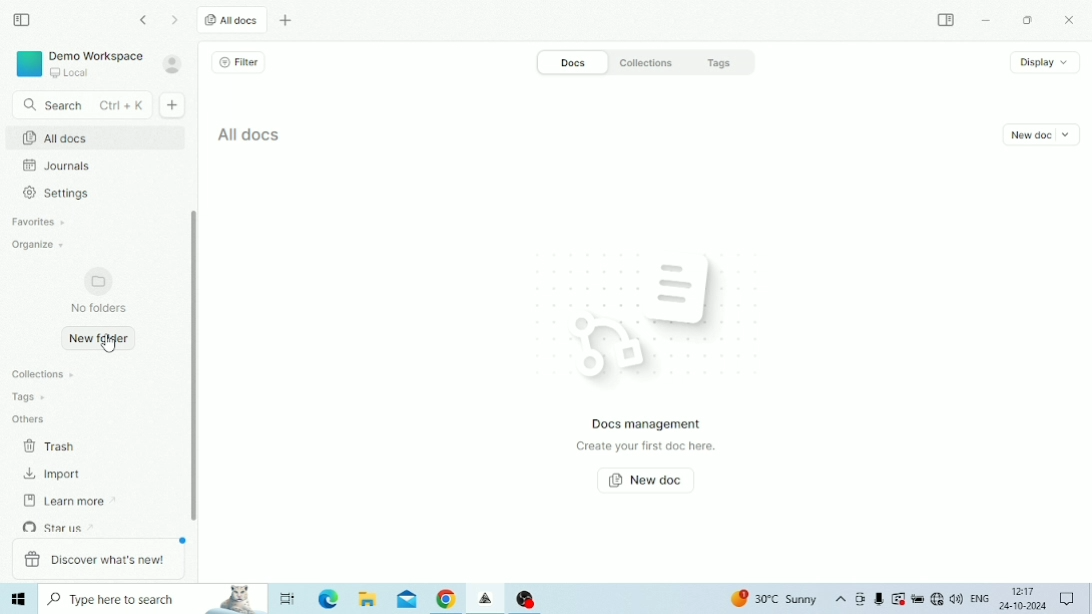 The height and width of the screenshot is (614, 1092). Describe the element at coordinates (841, 600) in the screenshot. I see `Show hidden icons` at that location.